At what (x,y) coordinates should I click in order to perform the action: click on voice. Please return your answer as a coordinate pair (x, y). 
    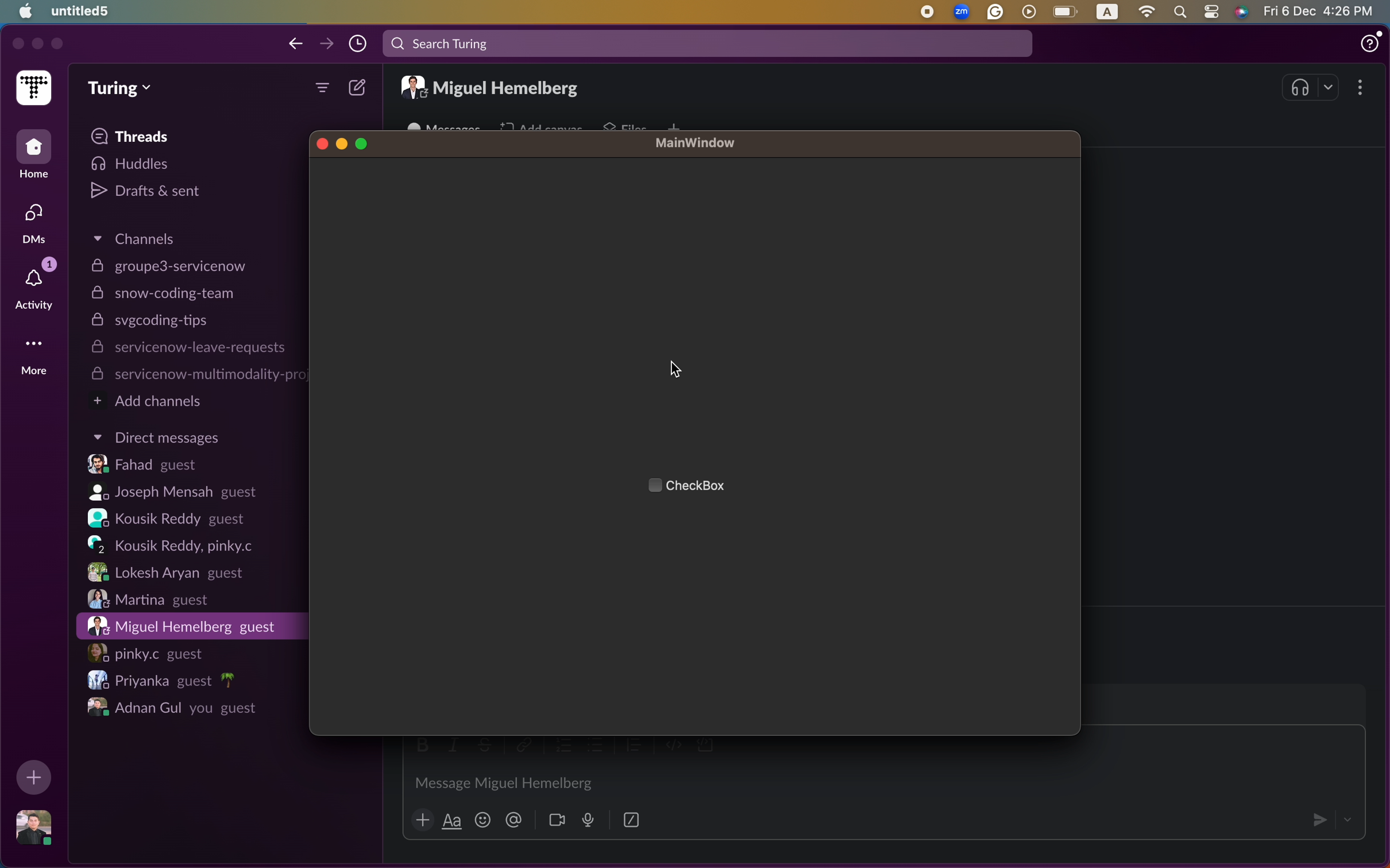
    Looking at the image, I should click on (586, 819).